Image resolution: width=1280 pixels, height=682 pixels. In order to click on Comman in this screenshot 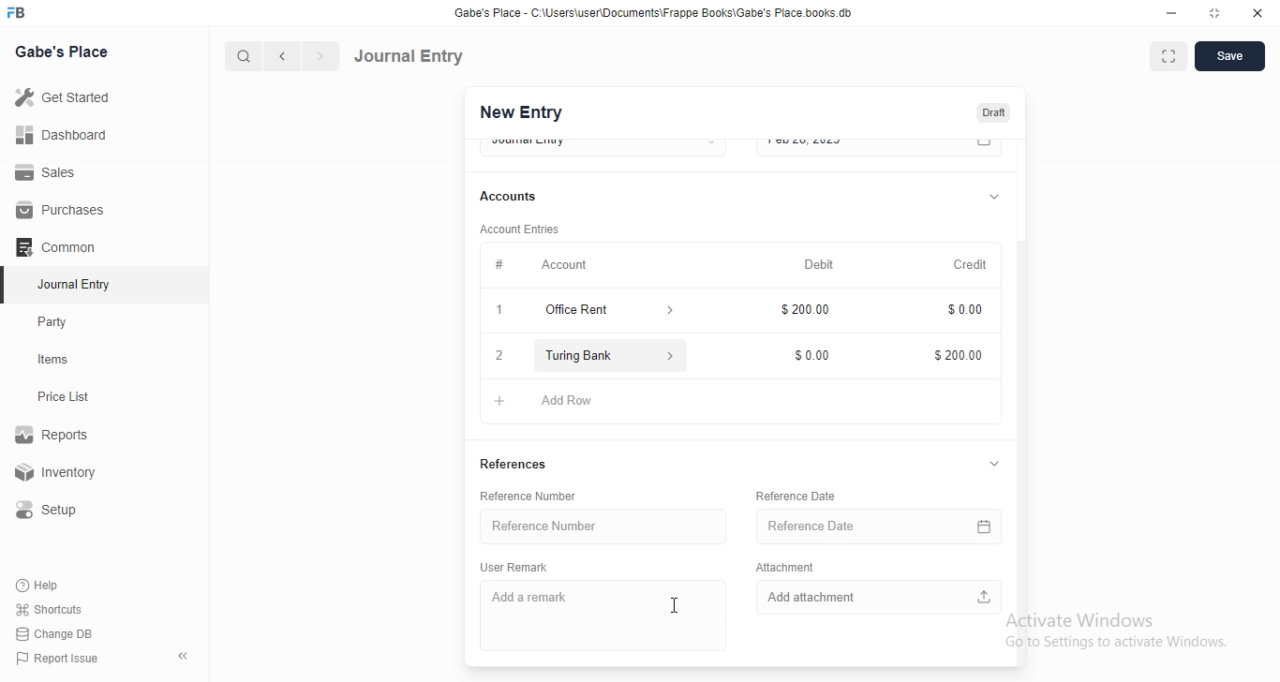, I will do `click(49, 247)`.